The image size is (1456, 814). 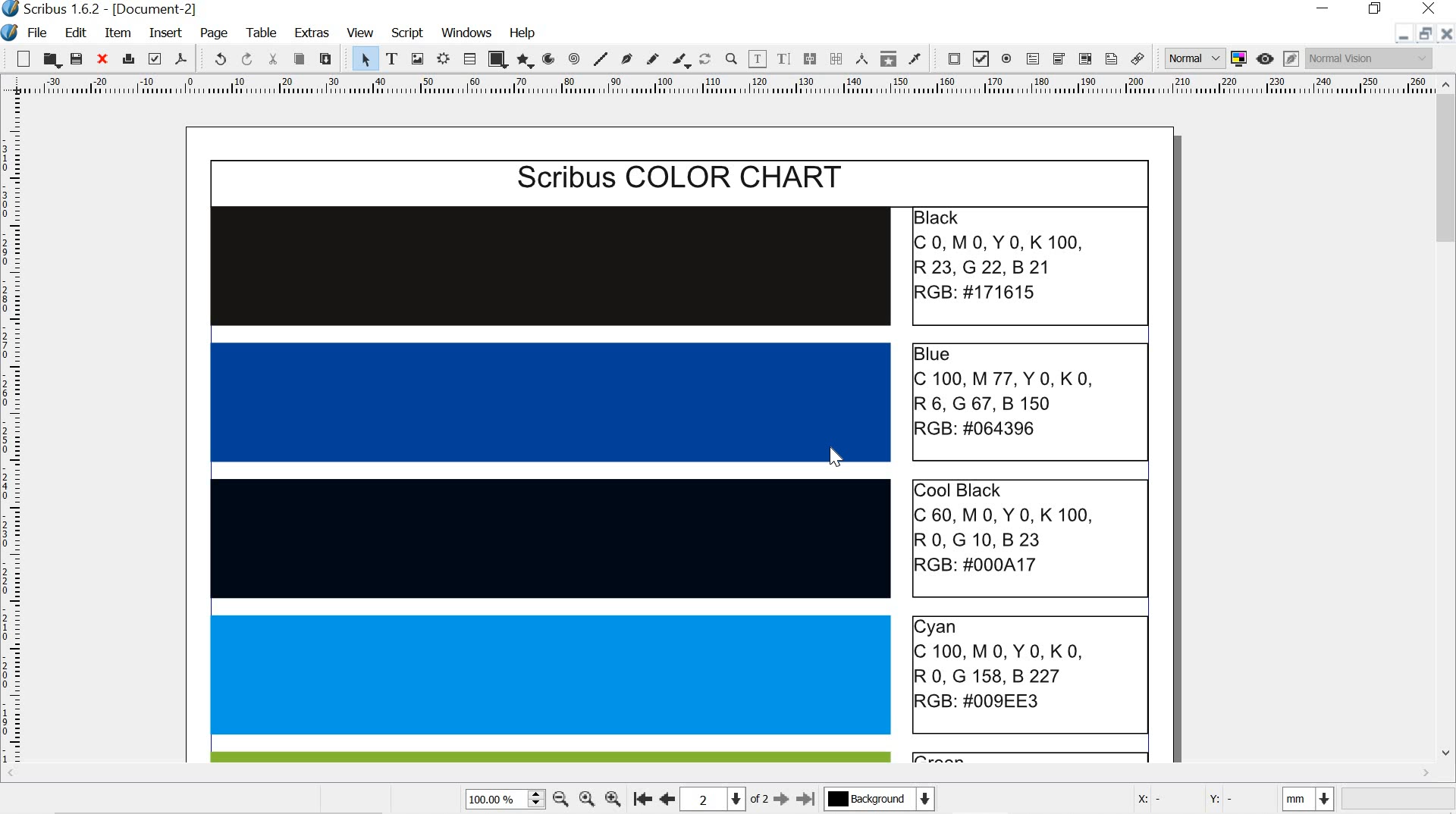 What do you see at coordinates (628, 58) in the screenshot?
I see `bezier curve` at bounding box center [628, 58].